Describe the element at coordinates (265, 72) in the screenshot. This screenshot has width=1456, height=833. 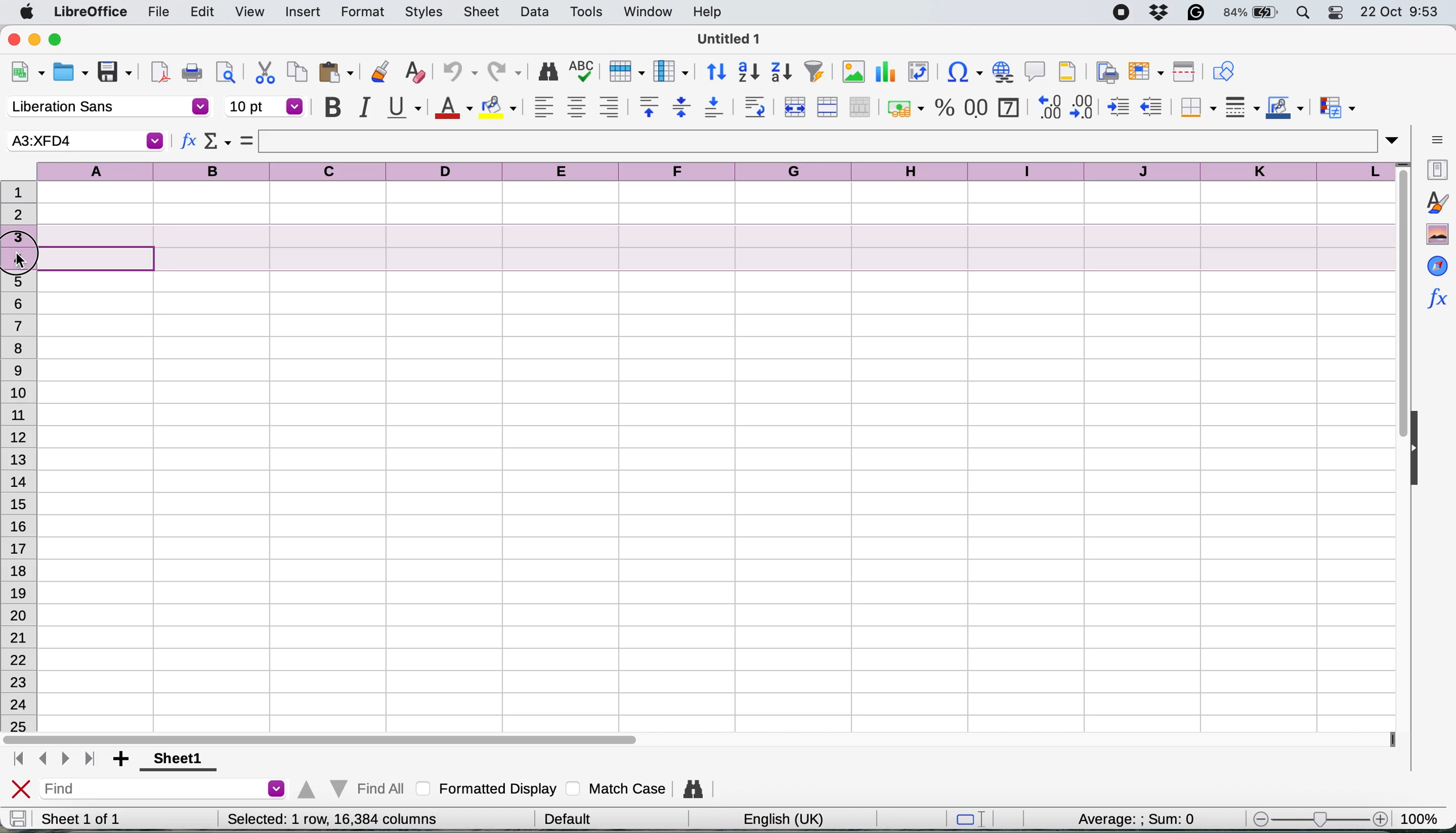
I see `cut` at that location.